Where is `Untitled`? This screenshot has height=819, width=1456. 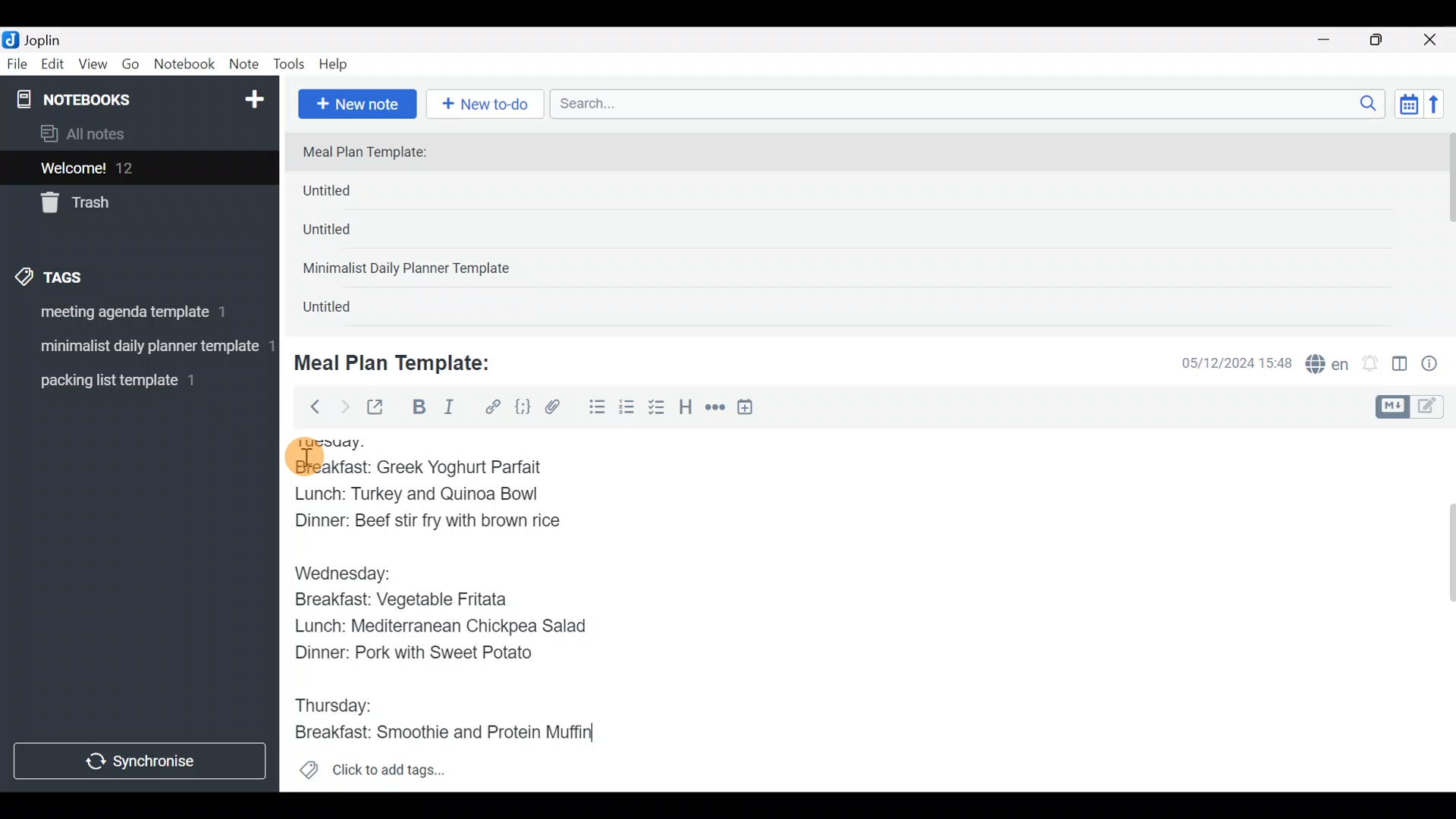
Untitled is located at coordinates (347, 234).